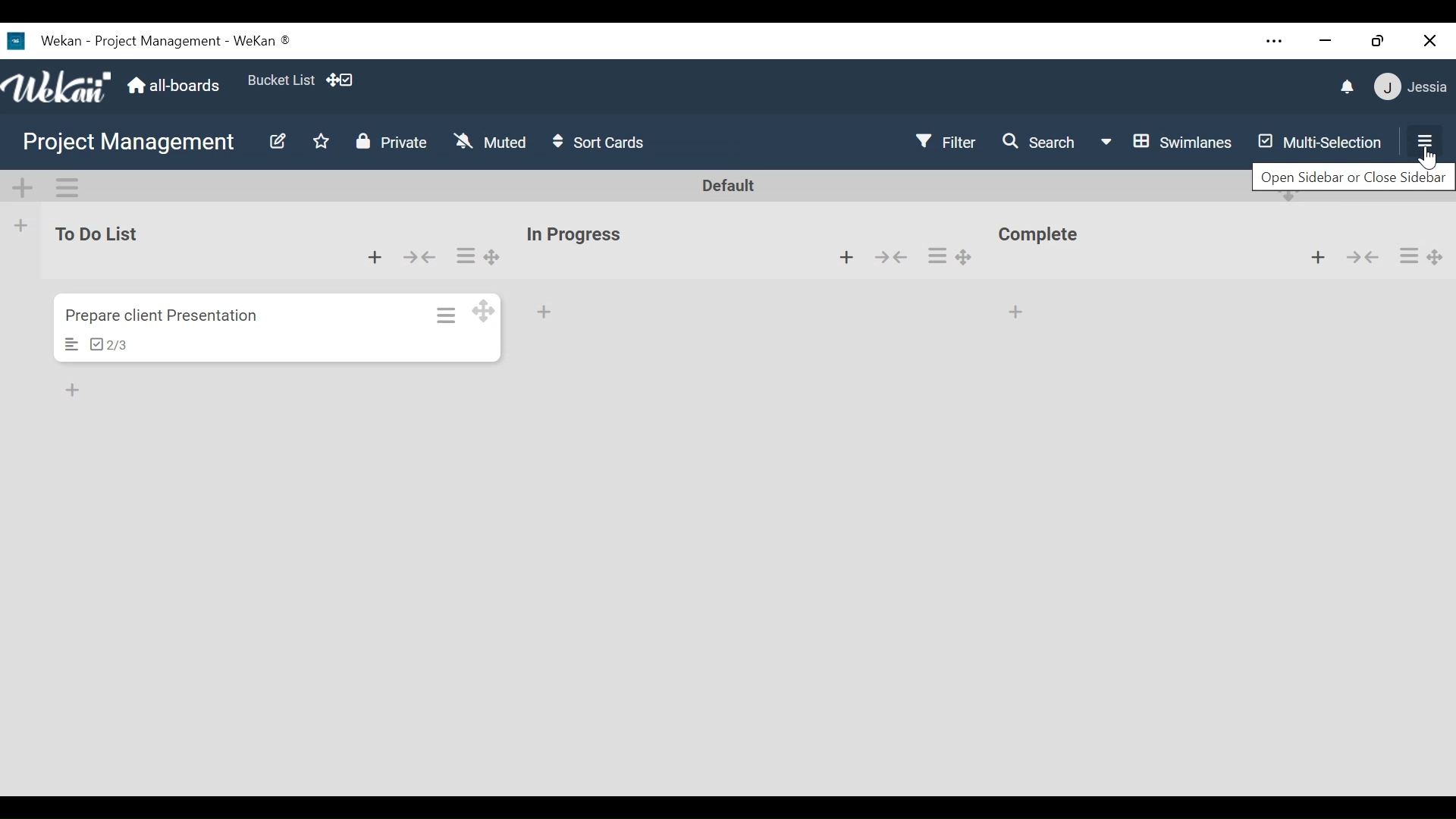 This screenshot has height=819, width=1456. I want to click on Desktop drag handles, so click(494, 257).